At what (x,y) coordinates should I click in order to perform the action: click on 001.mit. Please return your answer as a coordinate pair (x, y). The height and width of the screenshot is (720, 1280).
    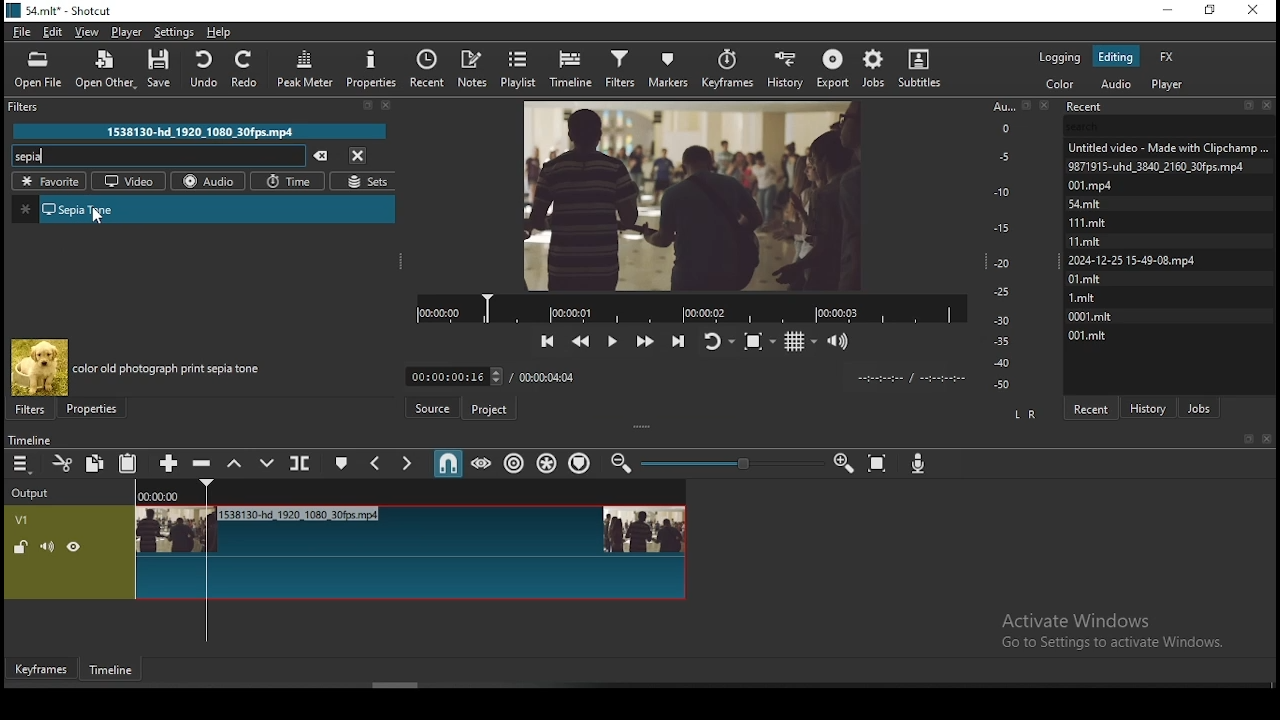
    Looking at the image, I should click on (1092, 336).